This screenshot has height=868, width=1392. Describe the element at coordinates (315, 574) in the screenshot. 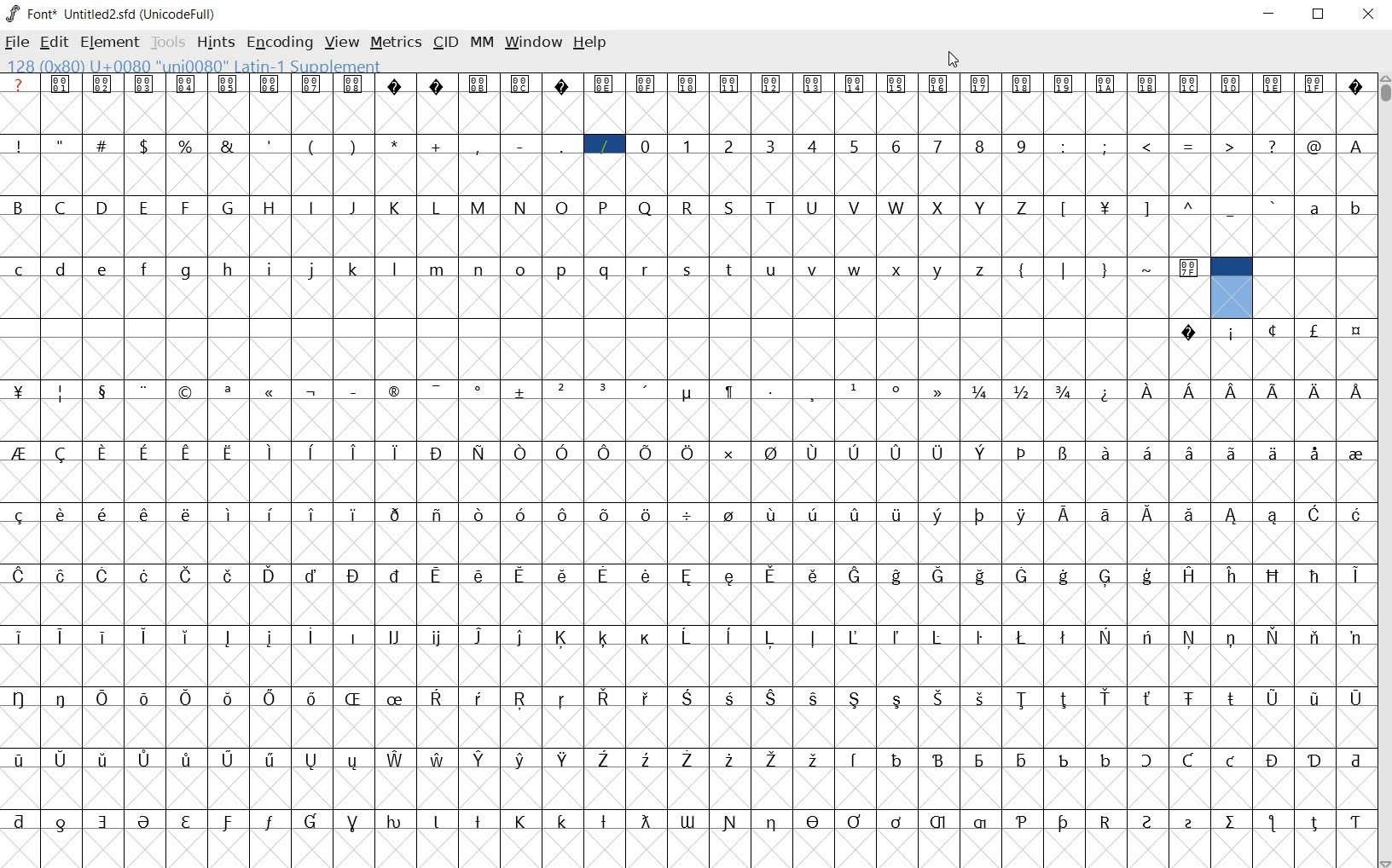

I see `Symbol` at that location.